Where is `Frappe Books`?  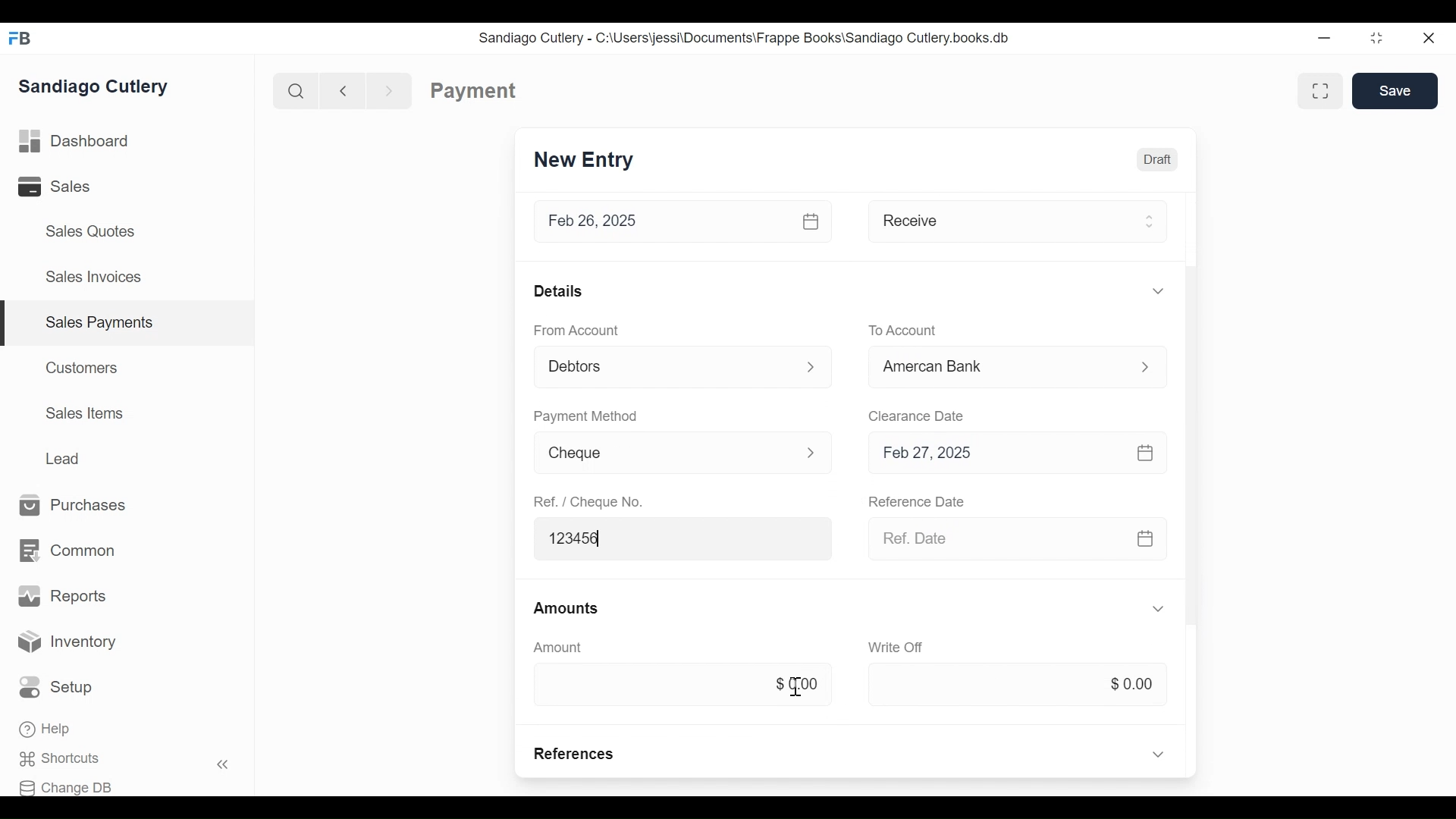 Frappe Books is located at coordinates (21, 38).